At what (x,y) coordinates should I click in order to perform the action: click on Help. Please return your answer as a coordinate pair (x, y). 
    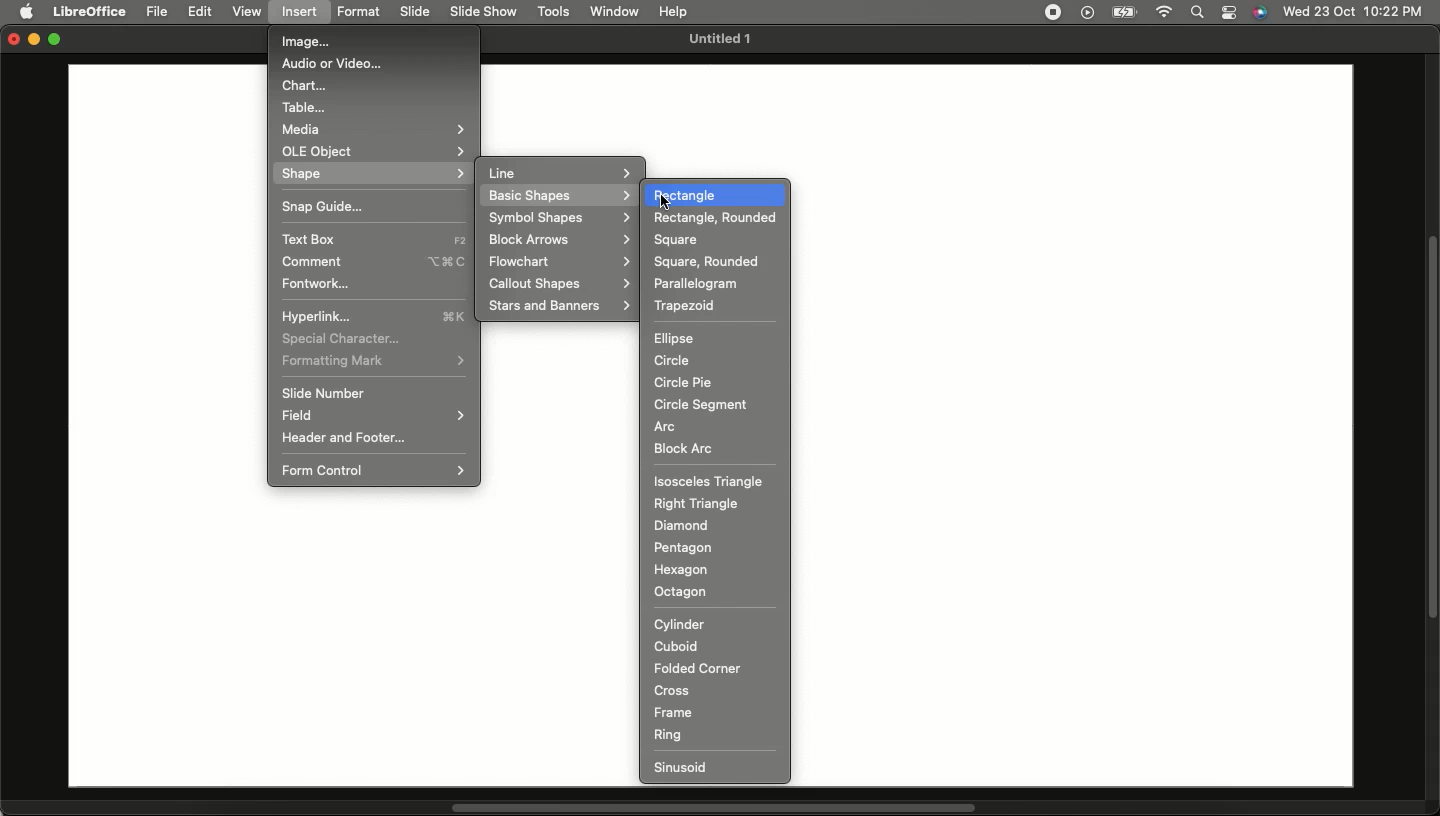
    Looking at the image, I should click on (673, 9).